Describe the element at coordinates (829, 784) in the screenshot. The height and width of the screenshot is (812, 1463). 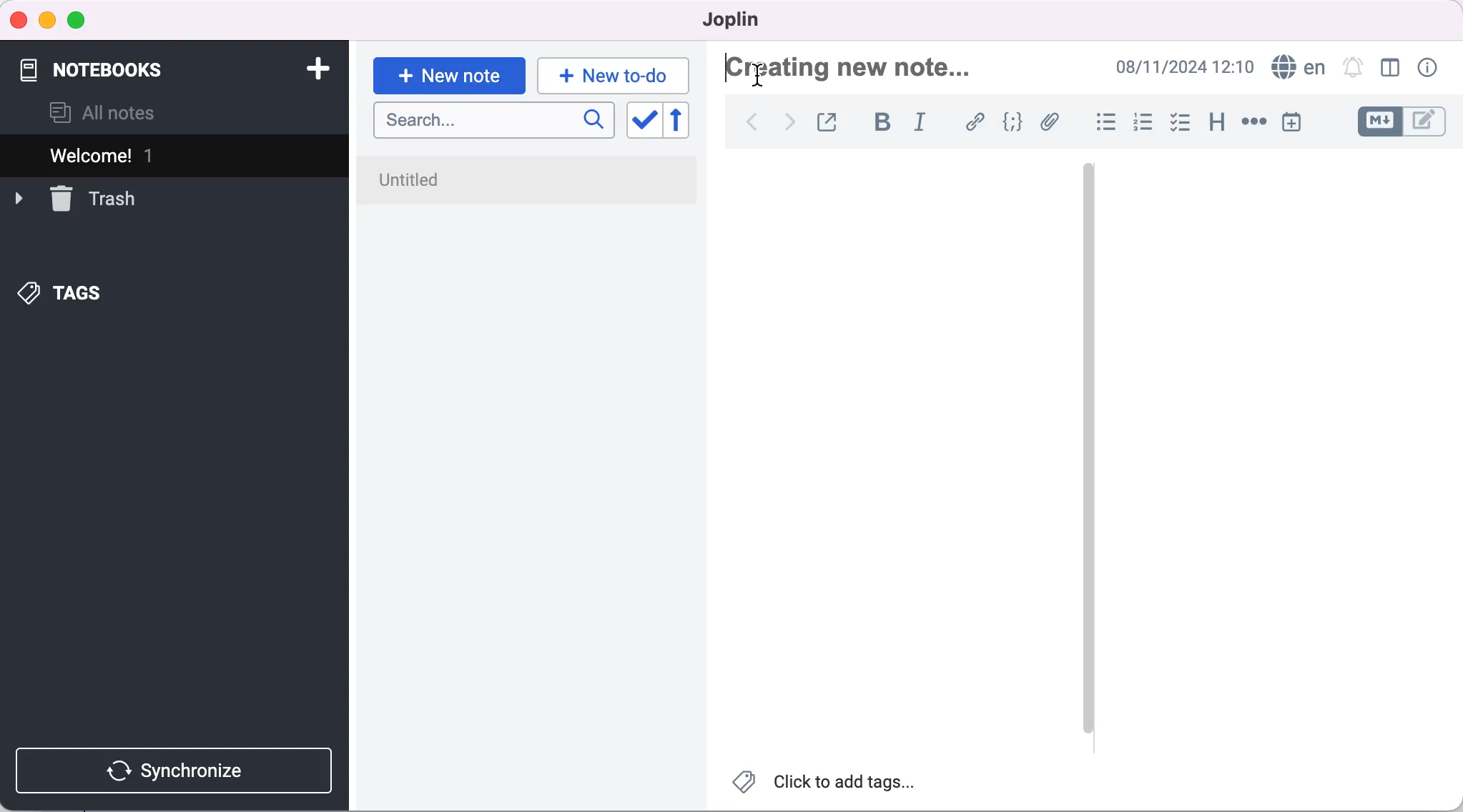
I see `click to add tags` at that location.